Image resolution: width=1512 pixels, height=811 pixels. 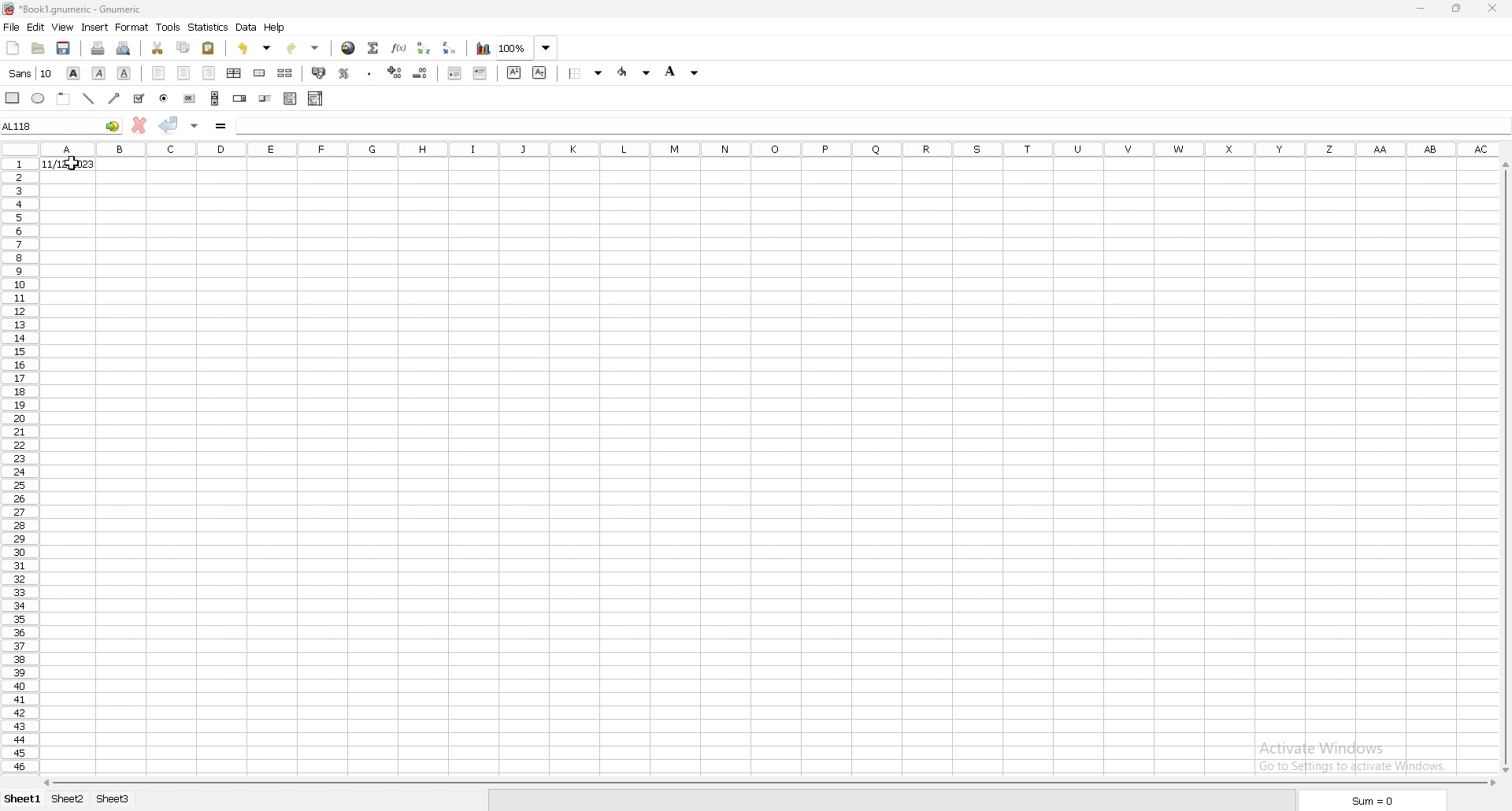 What do you see at coordinates (303, 48) in the screenshot?
I see `redo` at bounding box center [303, 48].